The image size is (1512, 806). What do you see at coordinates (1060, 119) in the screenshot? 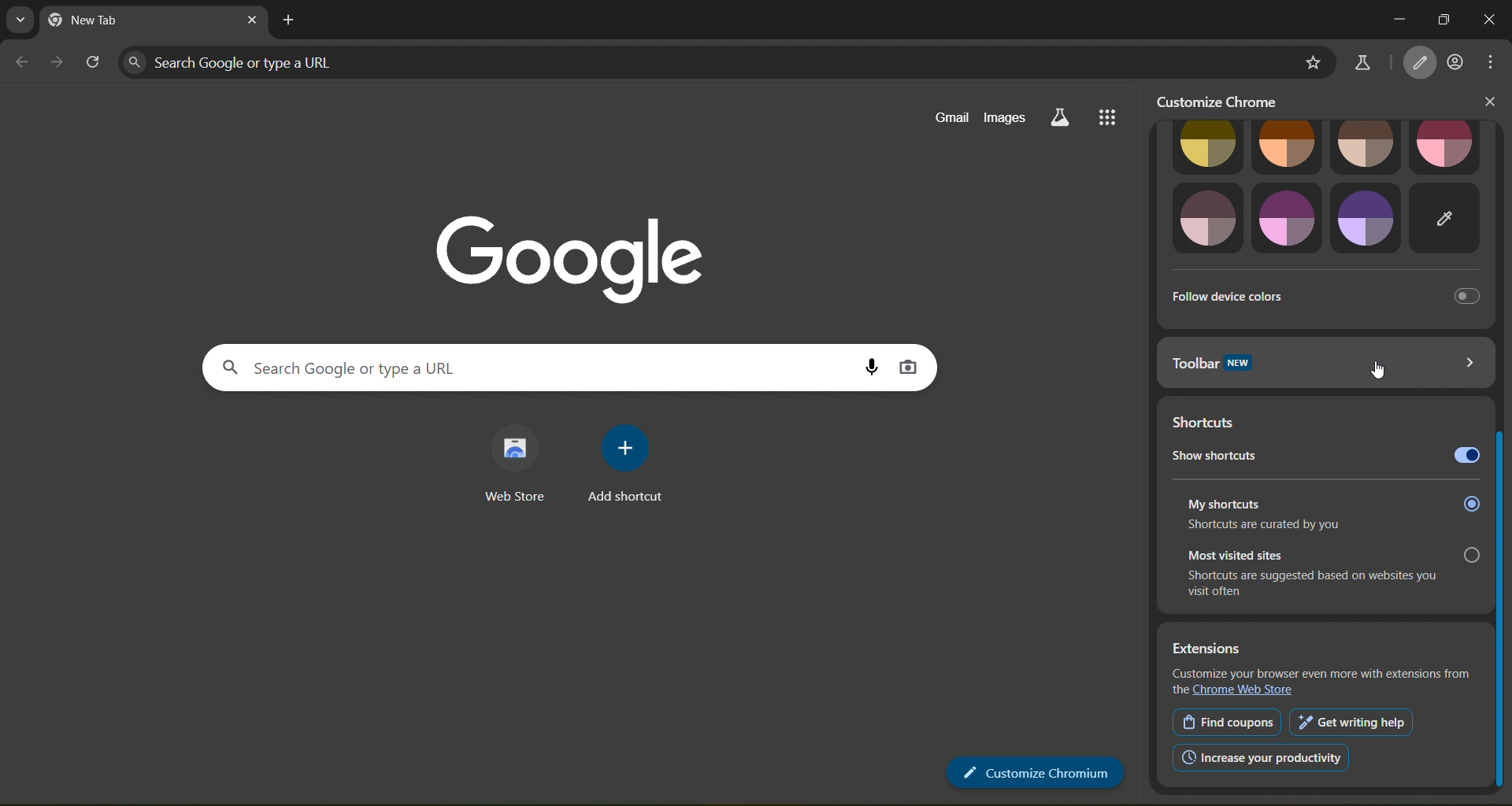
I see `search labs` at bounding box center [1060, 119].